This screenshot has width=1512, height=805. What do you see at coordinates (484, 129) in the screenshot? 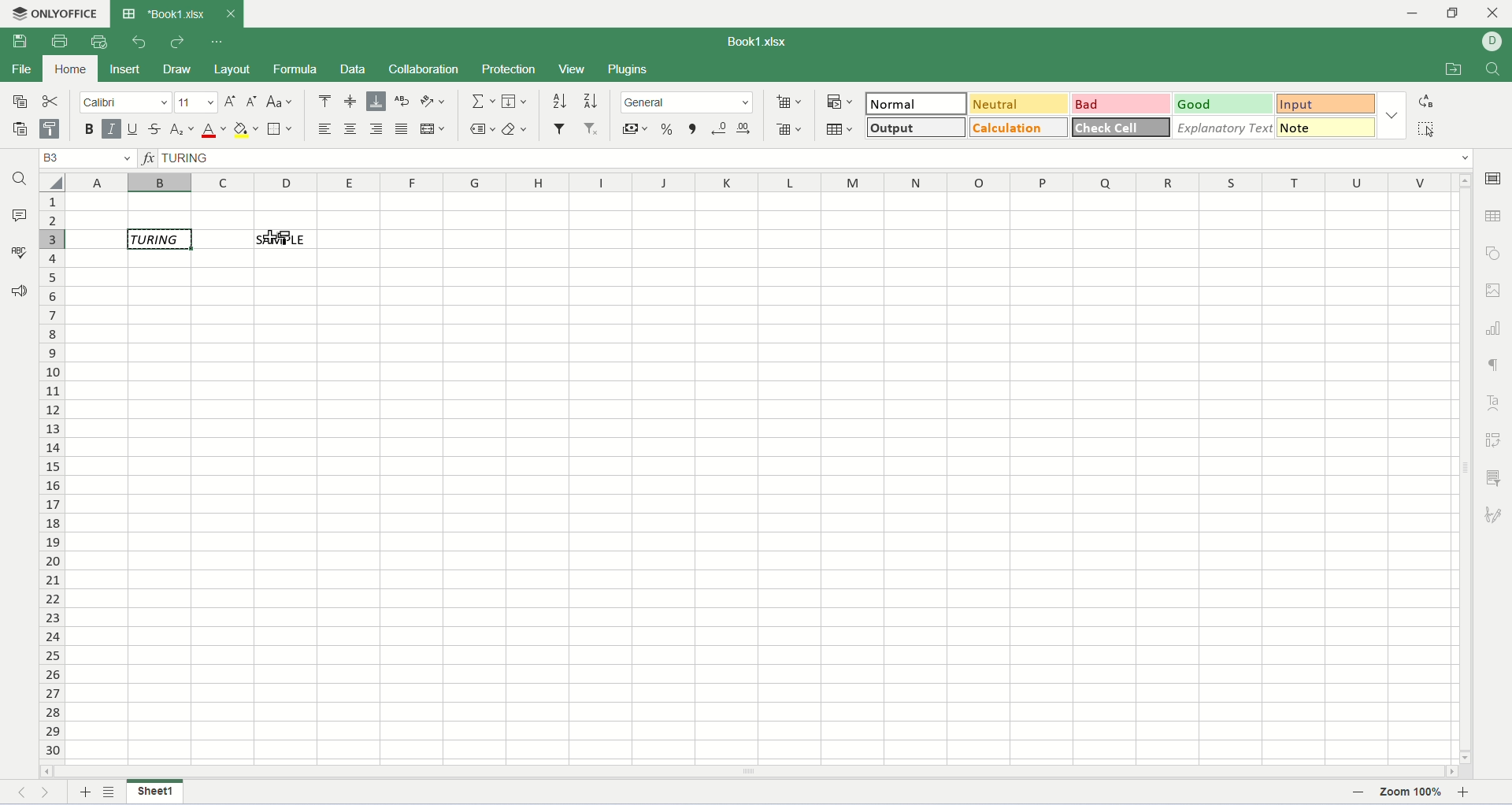
I see `named ranges` at bounding box center [484, 129].